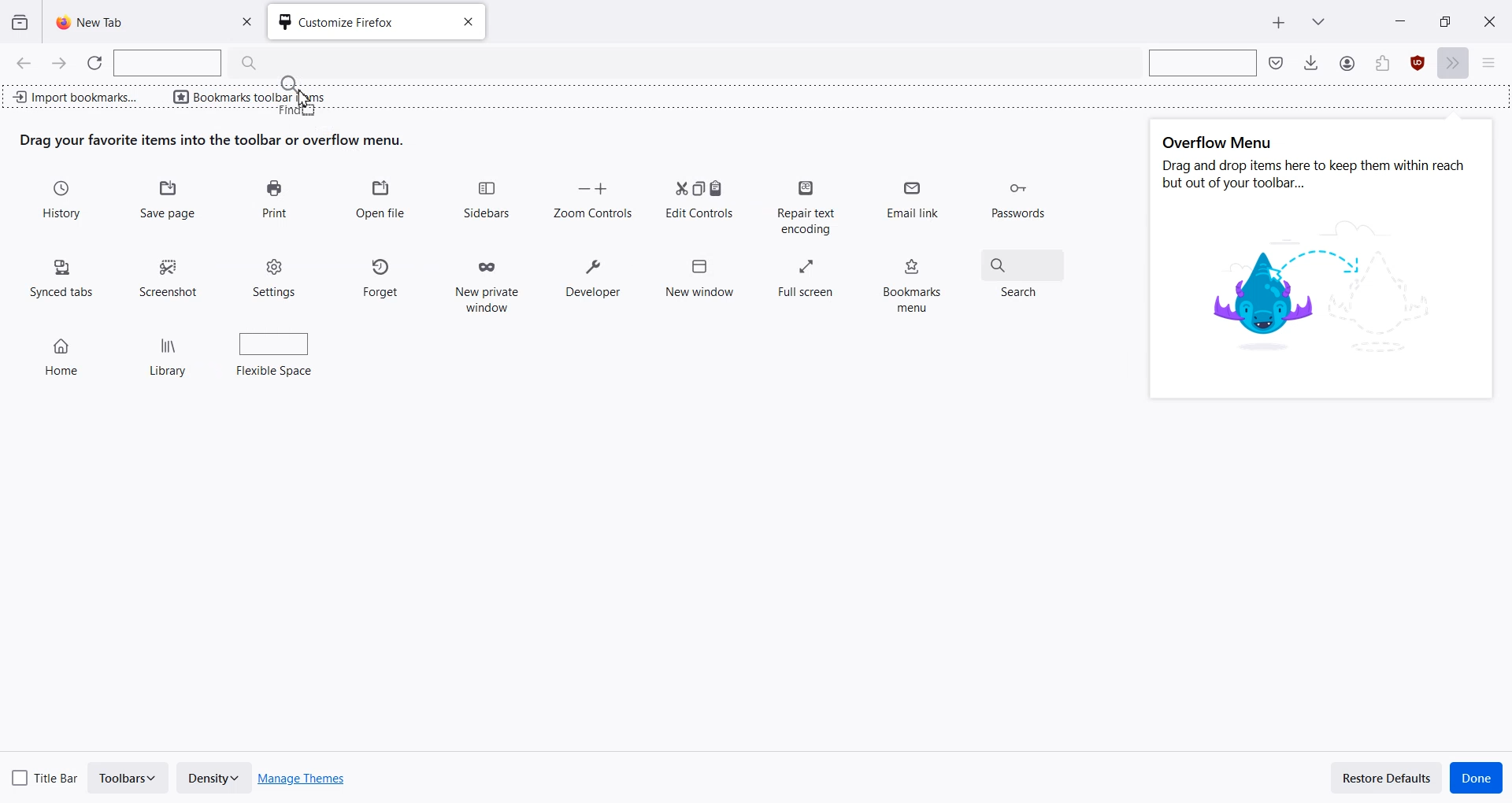  What do you see at coordinates (1456, 64) in the screenshot?
I see `More tools` at bounding box center [1456, 64].